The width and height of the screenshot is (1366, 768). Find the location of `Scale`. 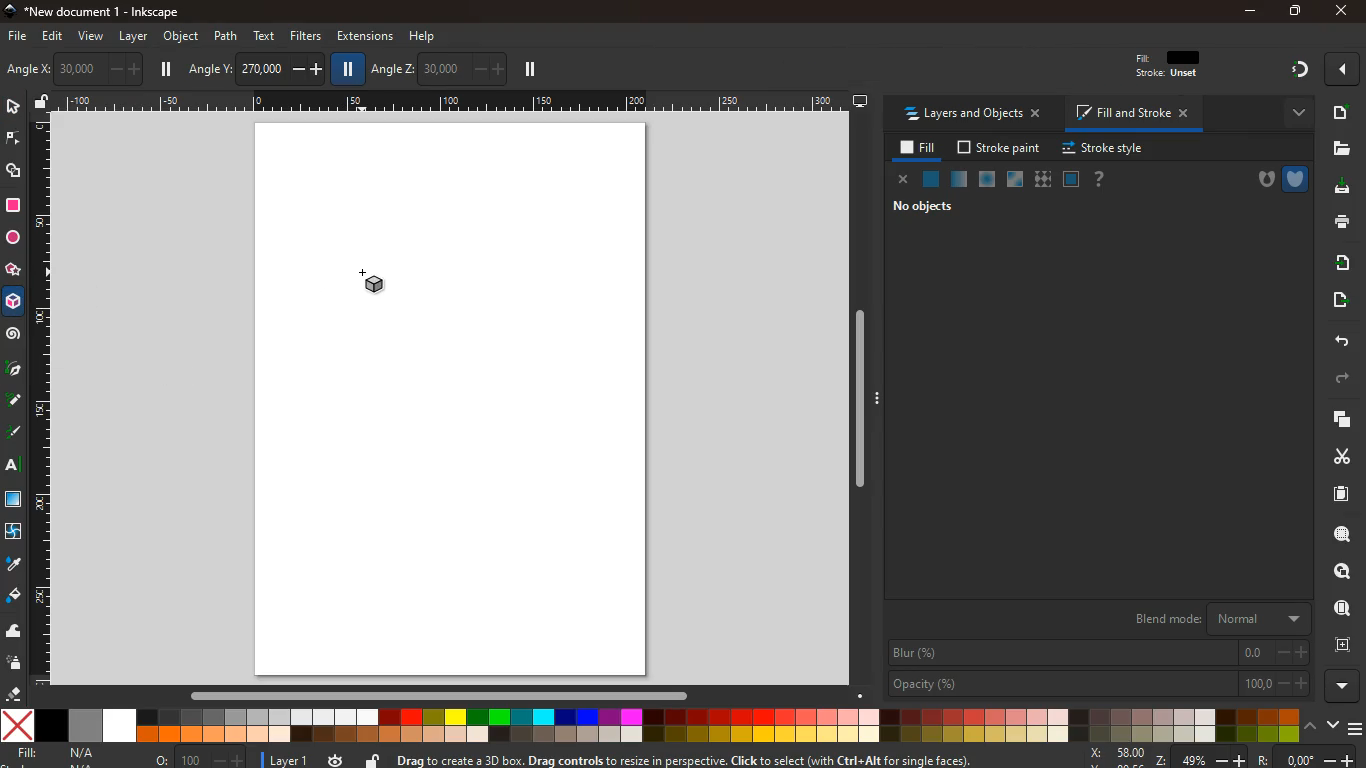

Scale is located at coordinates (449, 99).